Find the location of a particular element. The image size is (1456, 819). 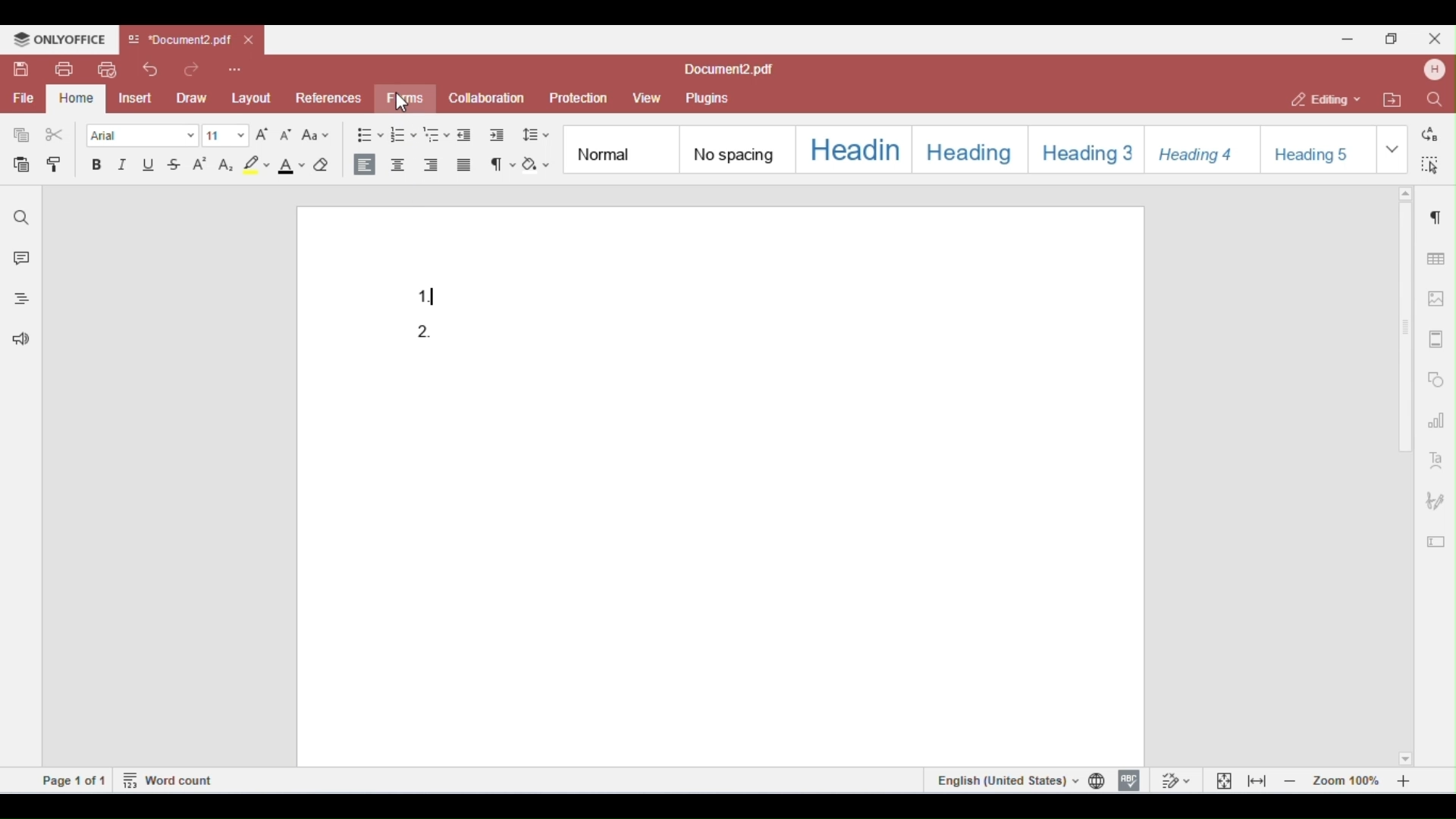

undo is located at coordinates (150, 69).